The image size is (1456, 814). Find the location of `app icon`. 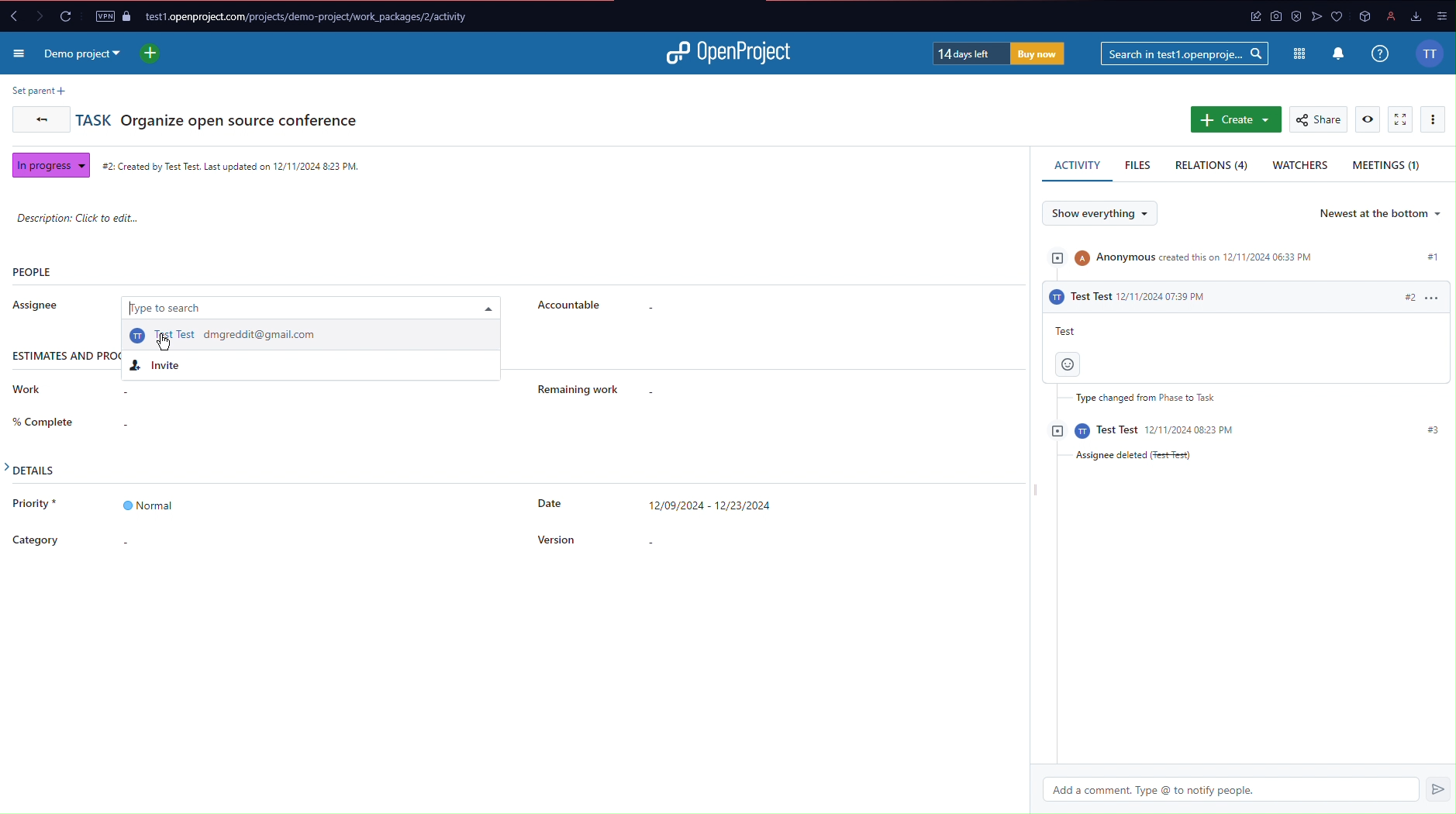

app icon is located at coordinates (1244, 19).